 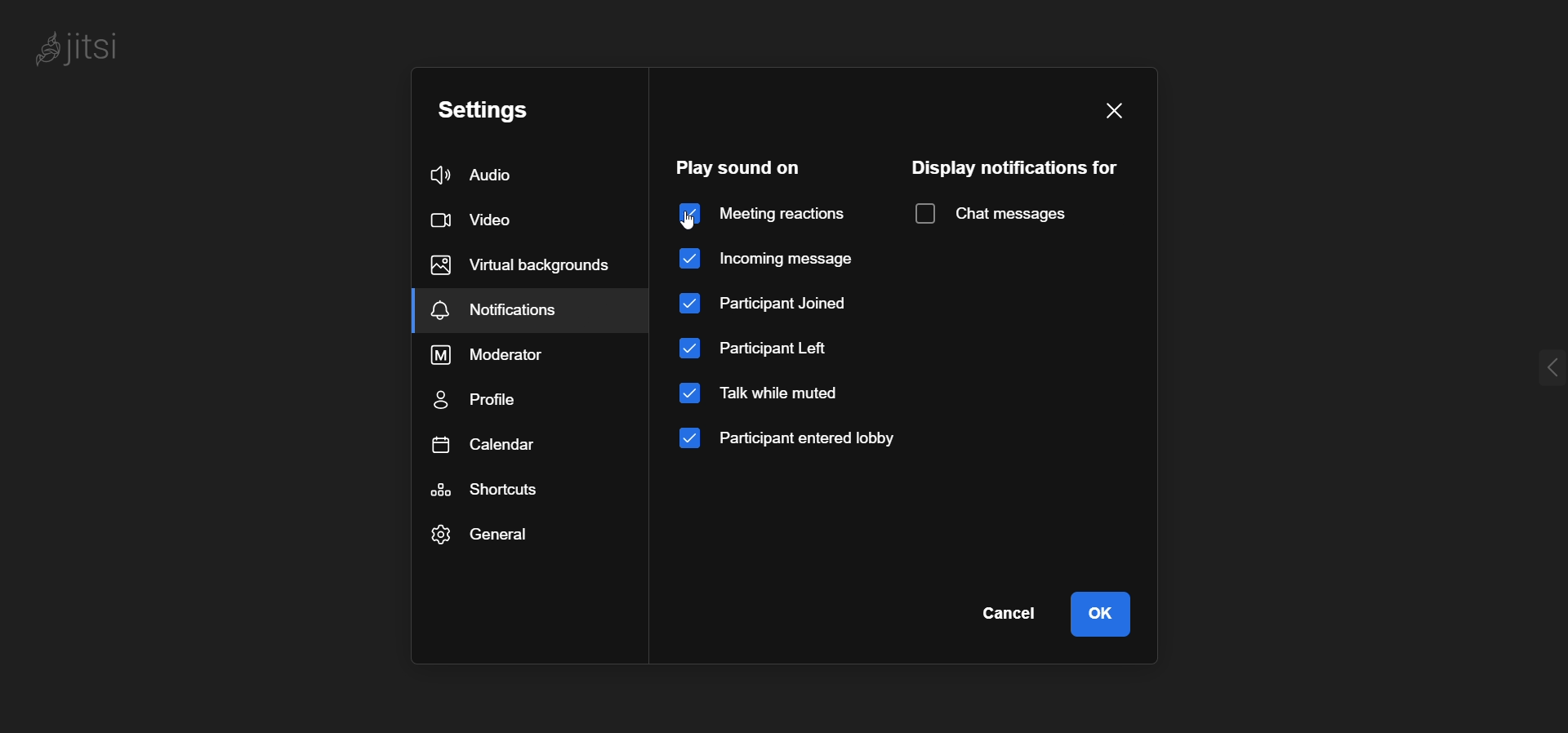 What do you see at coordinates (792, 440) in the screenshot?
I see `participant entered lobby` at bounding box center [792, 440].